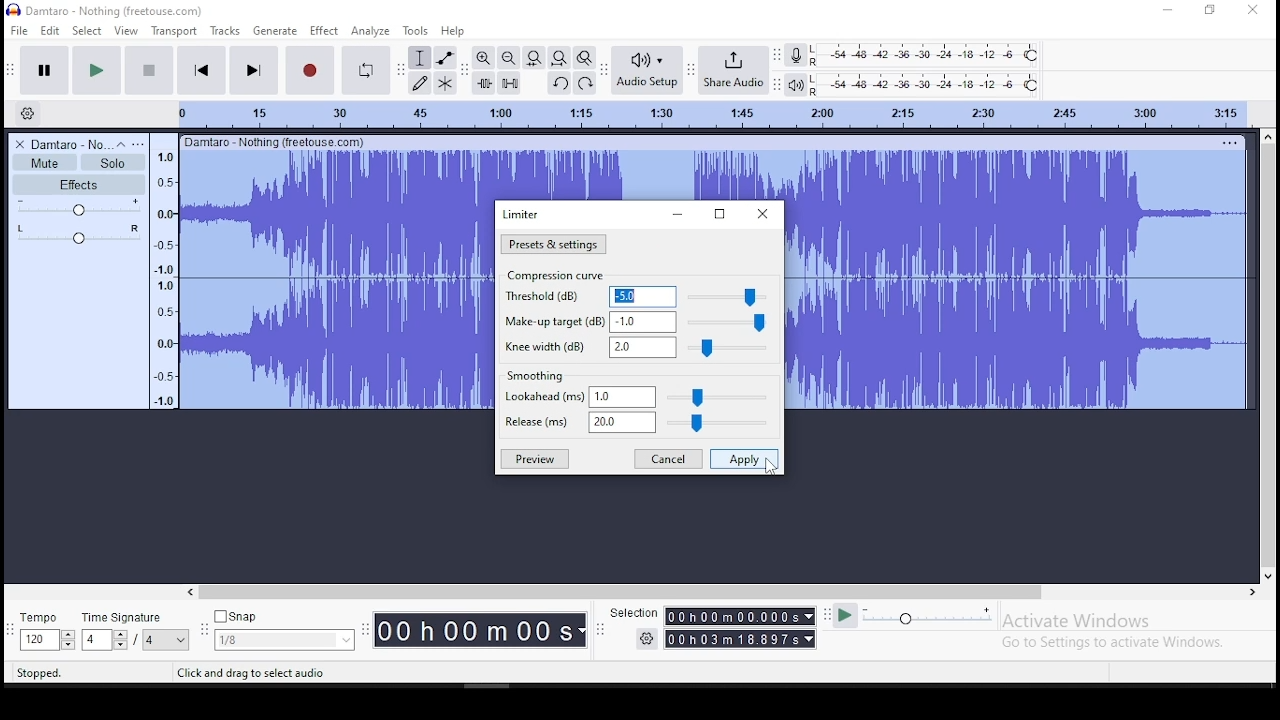 This screenshot has height=720, width=1280. Describe the element at coordinates (740, 616) in the screenshot. I see `00 h 00 m 00.000 s` at that location.